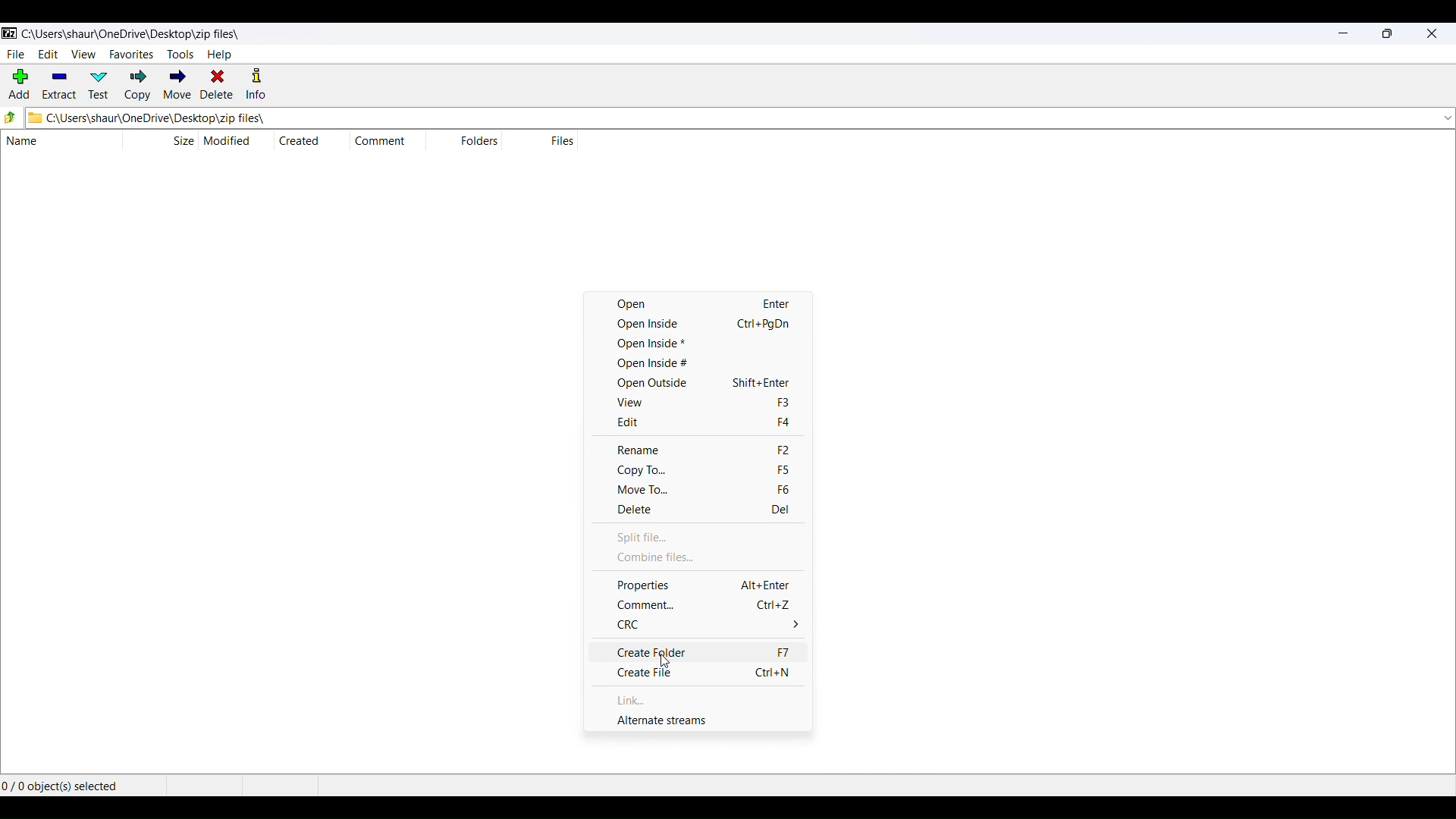 The image size is (1456, 819). What do you see at coordinates (720, 492) in the screenshot?
I see `MOVE TO` at bounding box center [720, 492].